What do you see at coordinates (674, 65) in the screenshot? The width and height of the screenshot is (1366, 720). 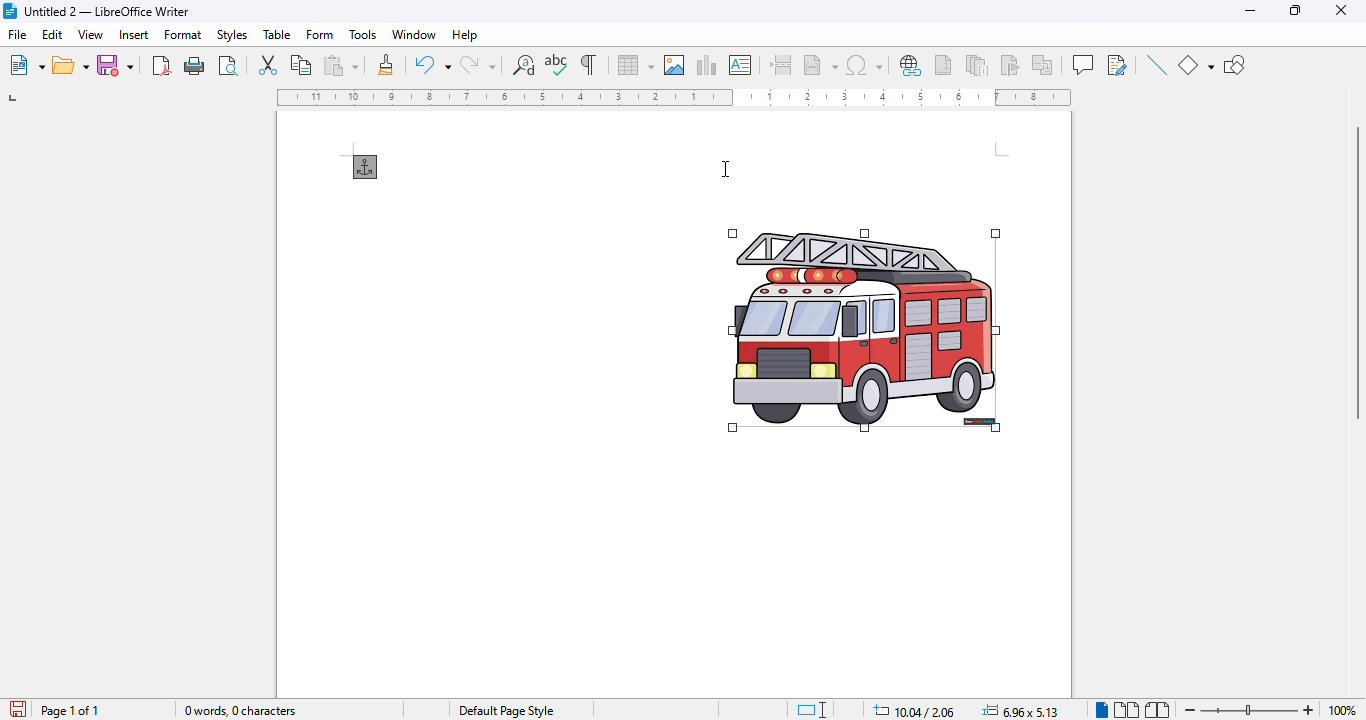 I see `insert image` at bounding box center [674, 65].